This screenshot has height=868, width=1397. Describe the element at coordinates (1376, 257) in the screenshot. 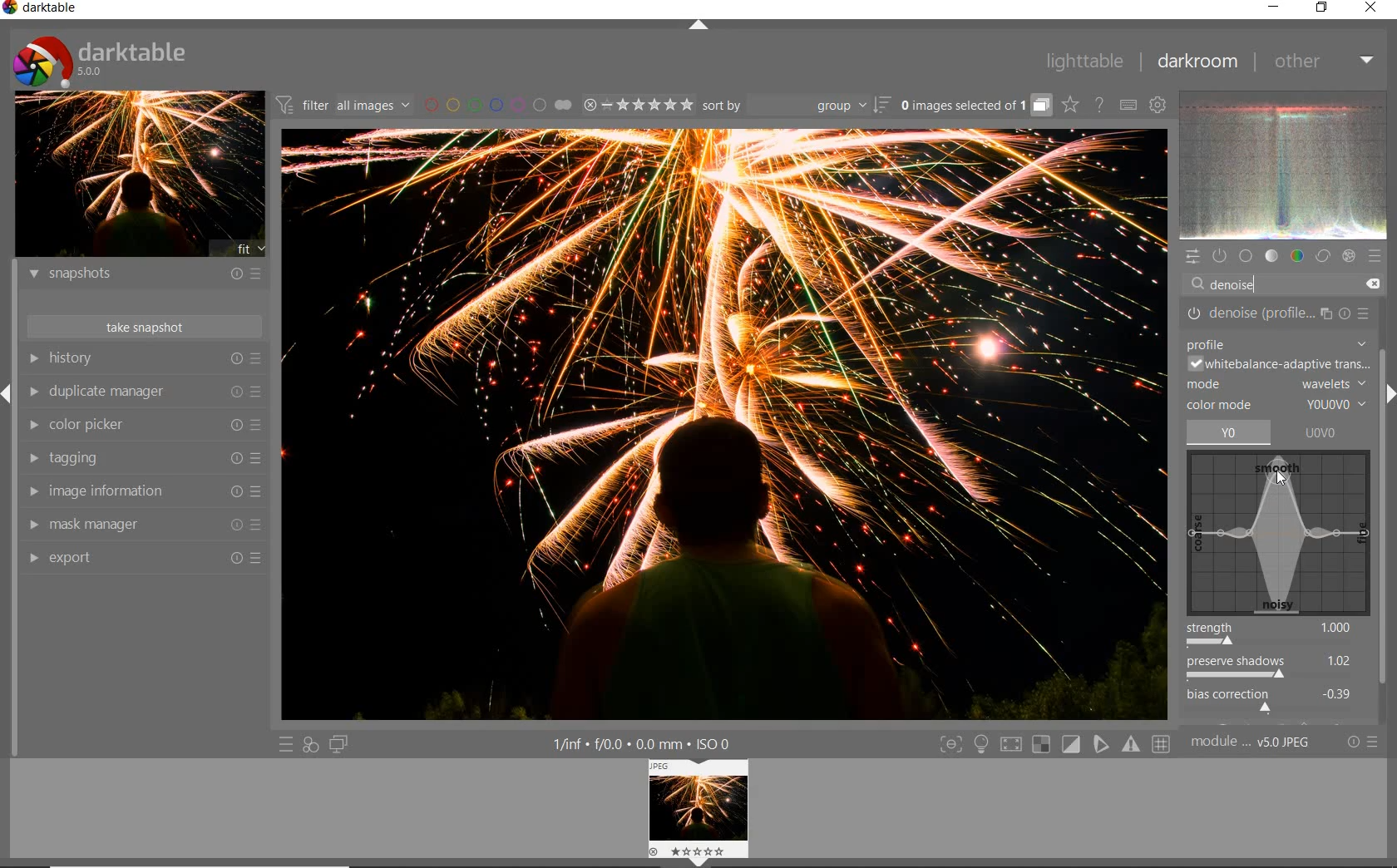

I see `presets` at that location.